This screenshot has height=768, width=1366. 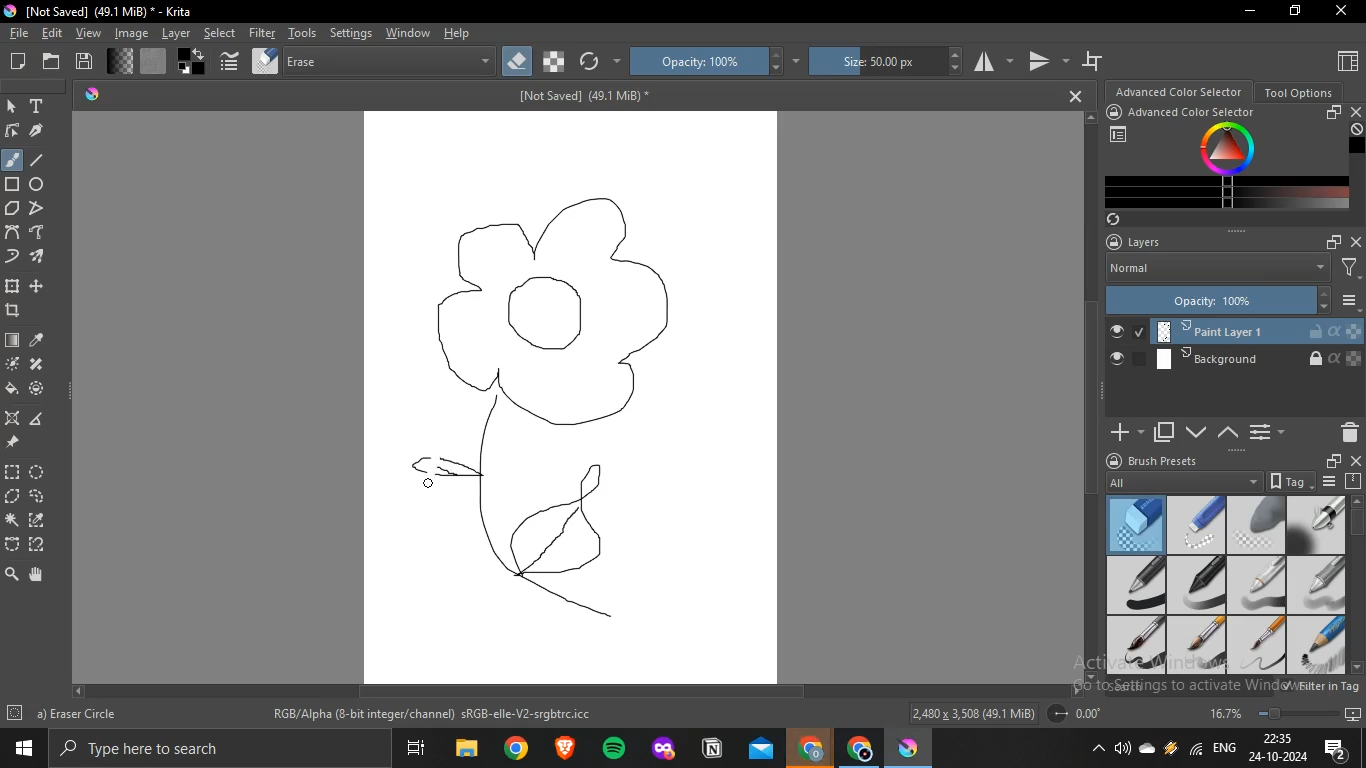 What do you see at coordinates (51, 34) in the screenshot?
I see `edit` at bounding box center [51, 34].